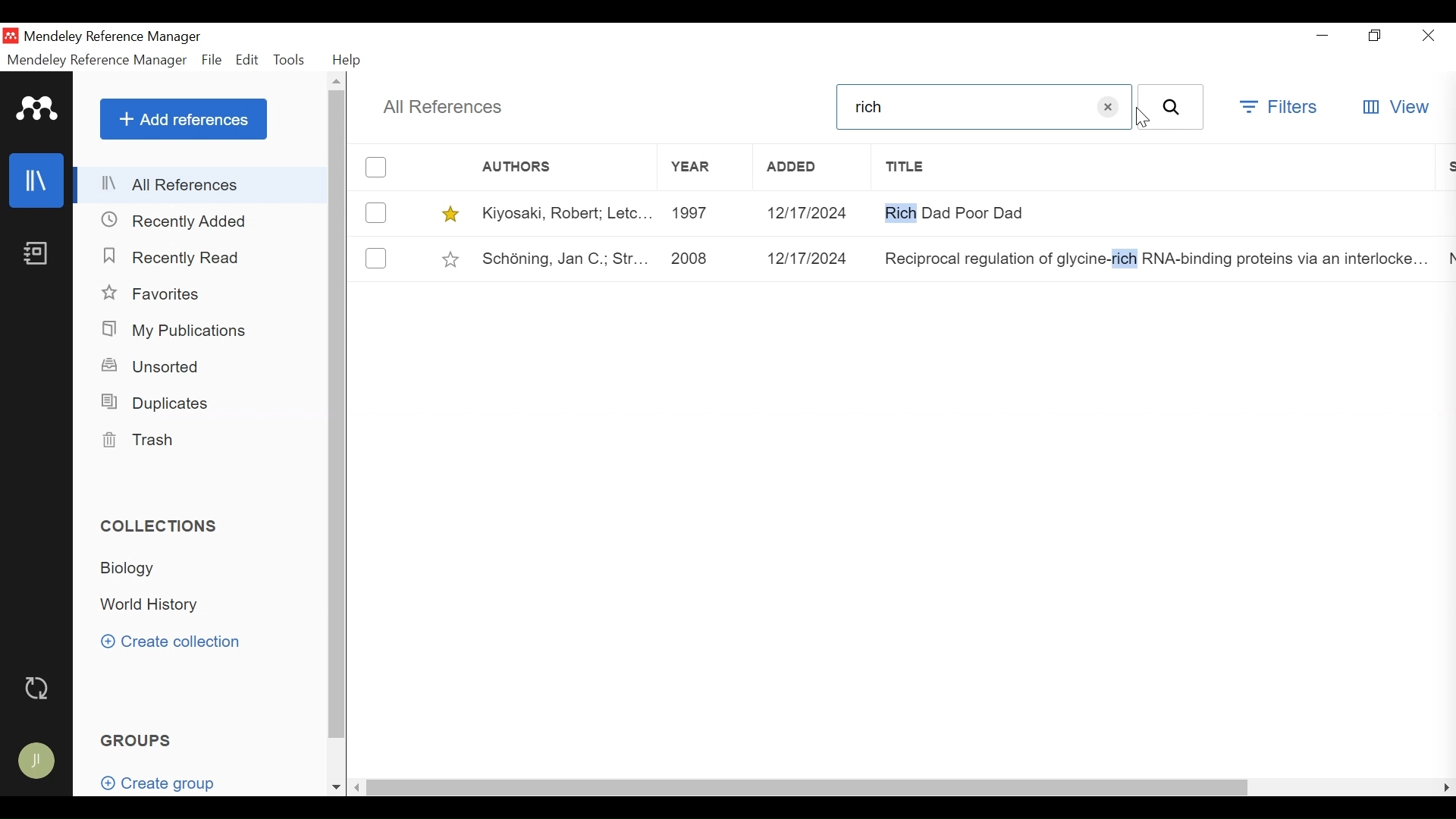  I want to click on Groups, so click(138, 739).